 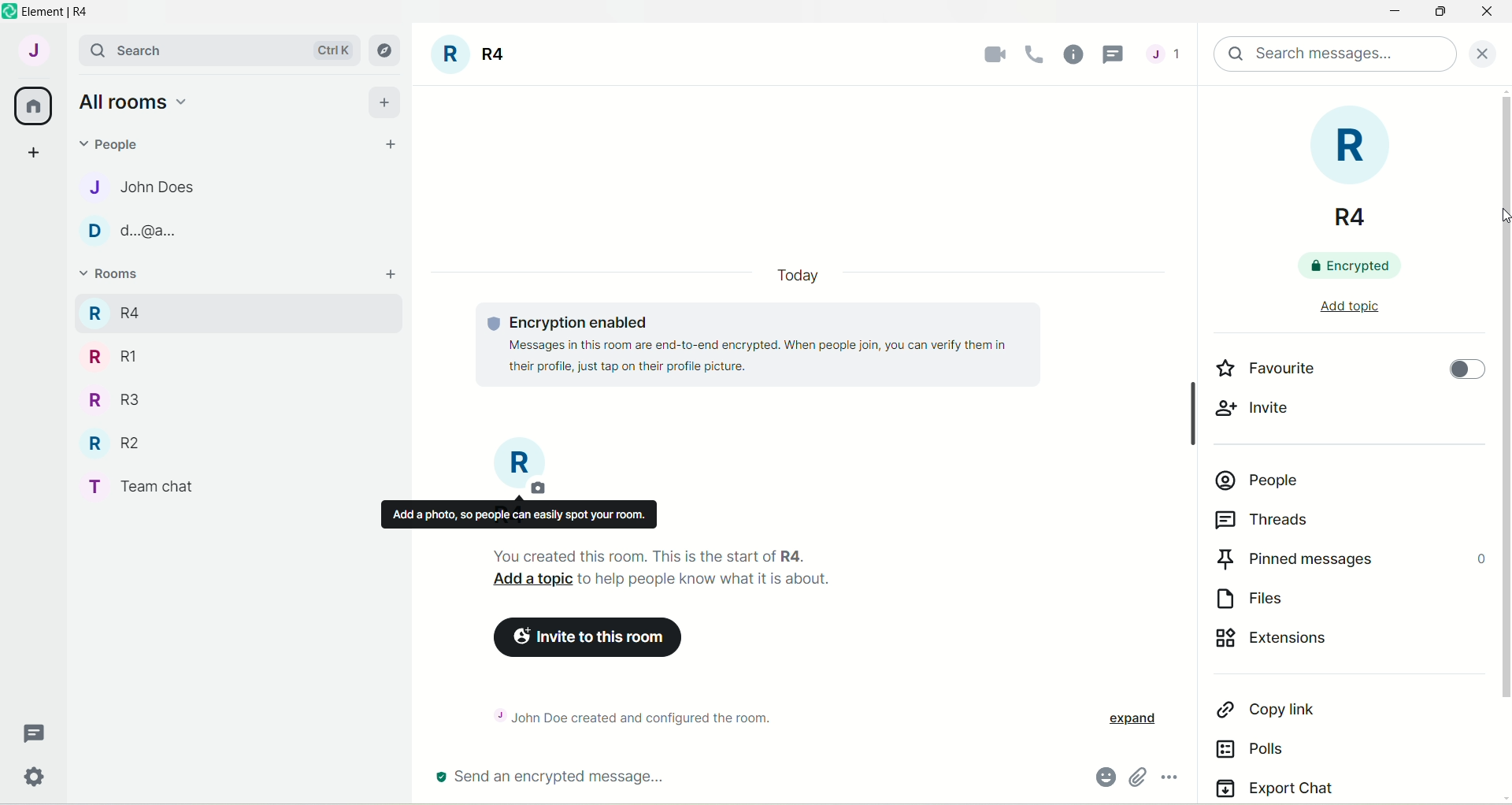 I want to click on account, so click(x=32, y=50).